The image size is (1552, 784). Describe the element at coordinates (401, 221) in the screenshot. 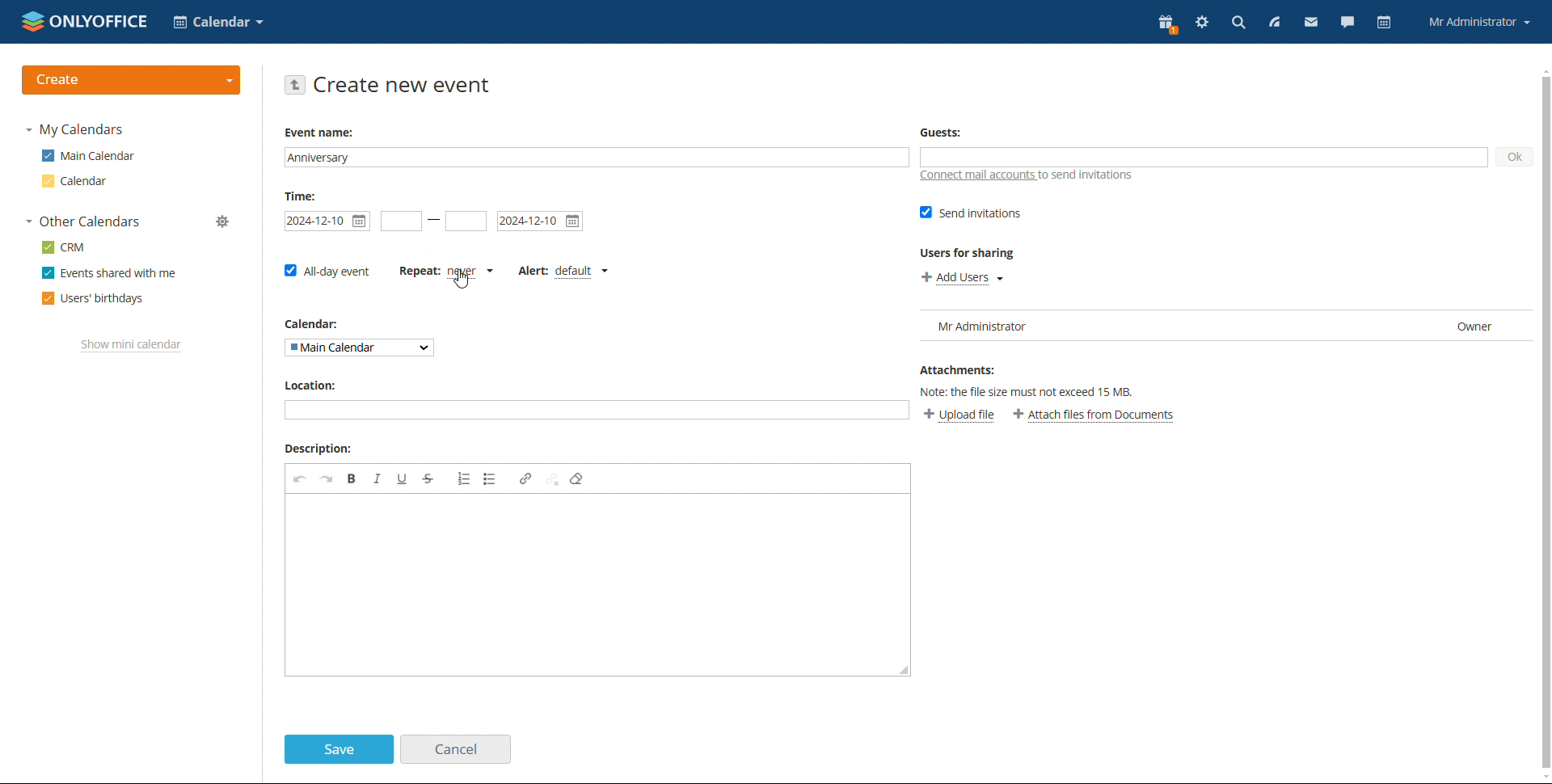

I see `start date` at that location.